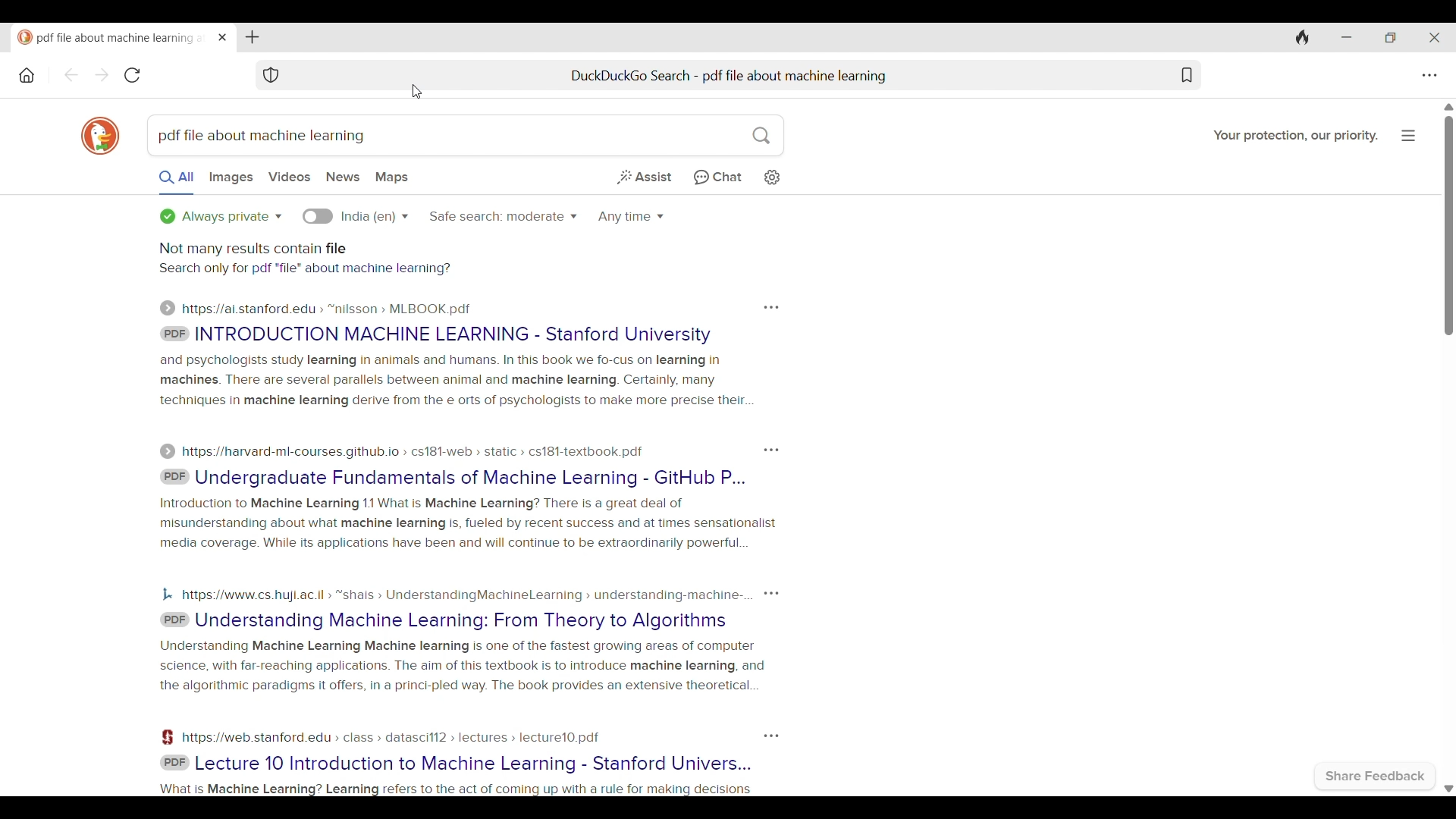 This screenshot has width=1456, height=819. What do you see at coordinates (1448, 106) in the screenshot?
I see `Quick slide to top` at bounding box center [1448, 106].